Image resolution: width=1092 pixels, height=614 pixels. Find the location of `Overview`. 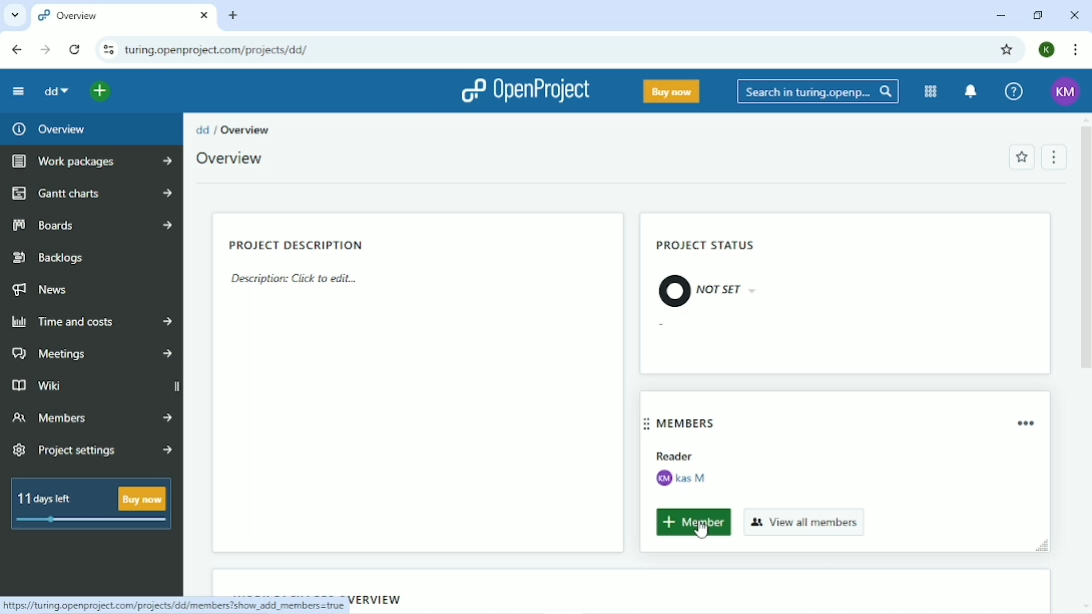

Overview is located at coordinates (46, 129).